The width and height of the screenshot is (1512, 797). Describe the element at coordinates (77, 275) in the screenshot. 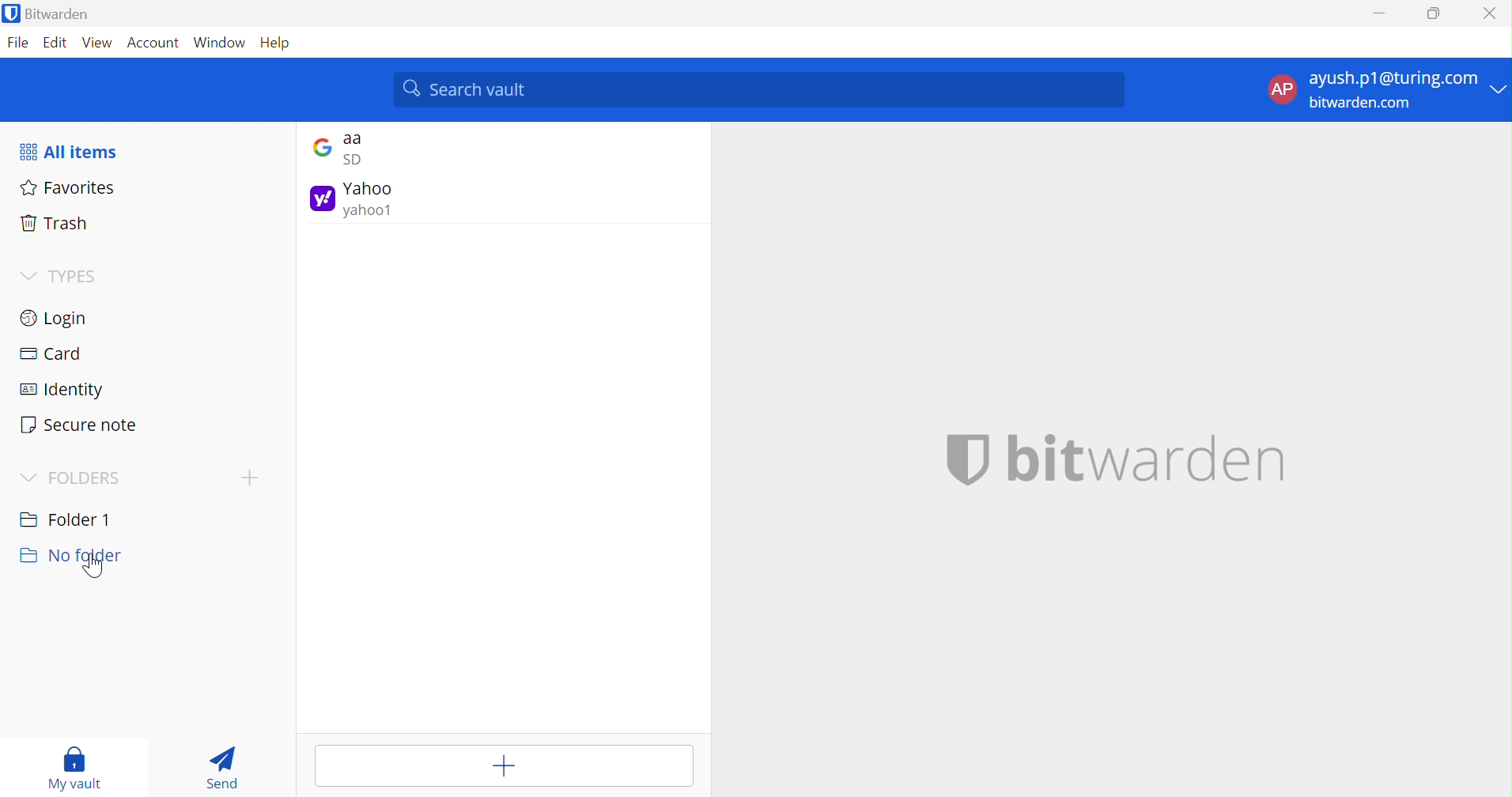

I see `TYPES` at that location.